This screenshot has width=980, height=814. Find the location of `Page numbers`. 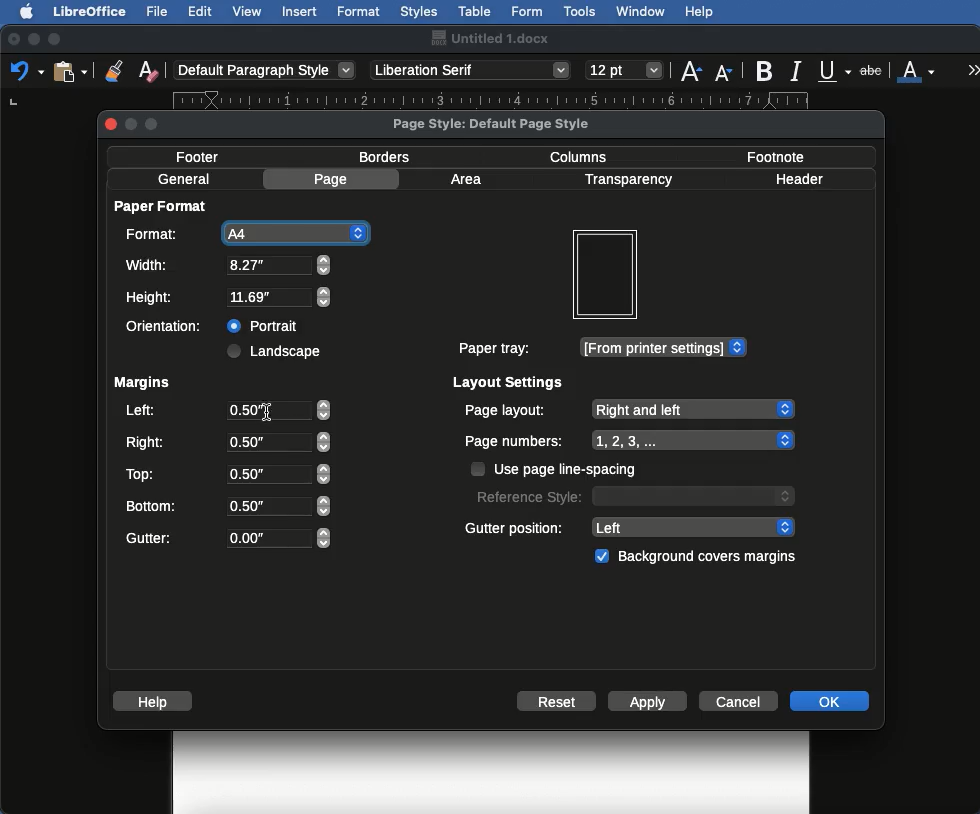

Page numbers is located at coordinates (630, 441).